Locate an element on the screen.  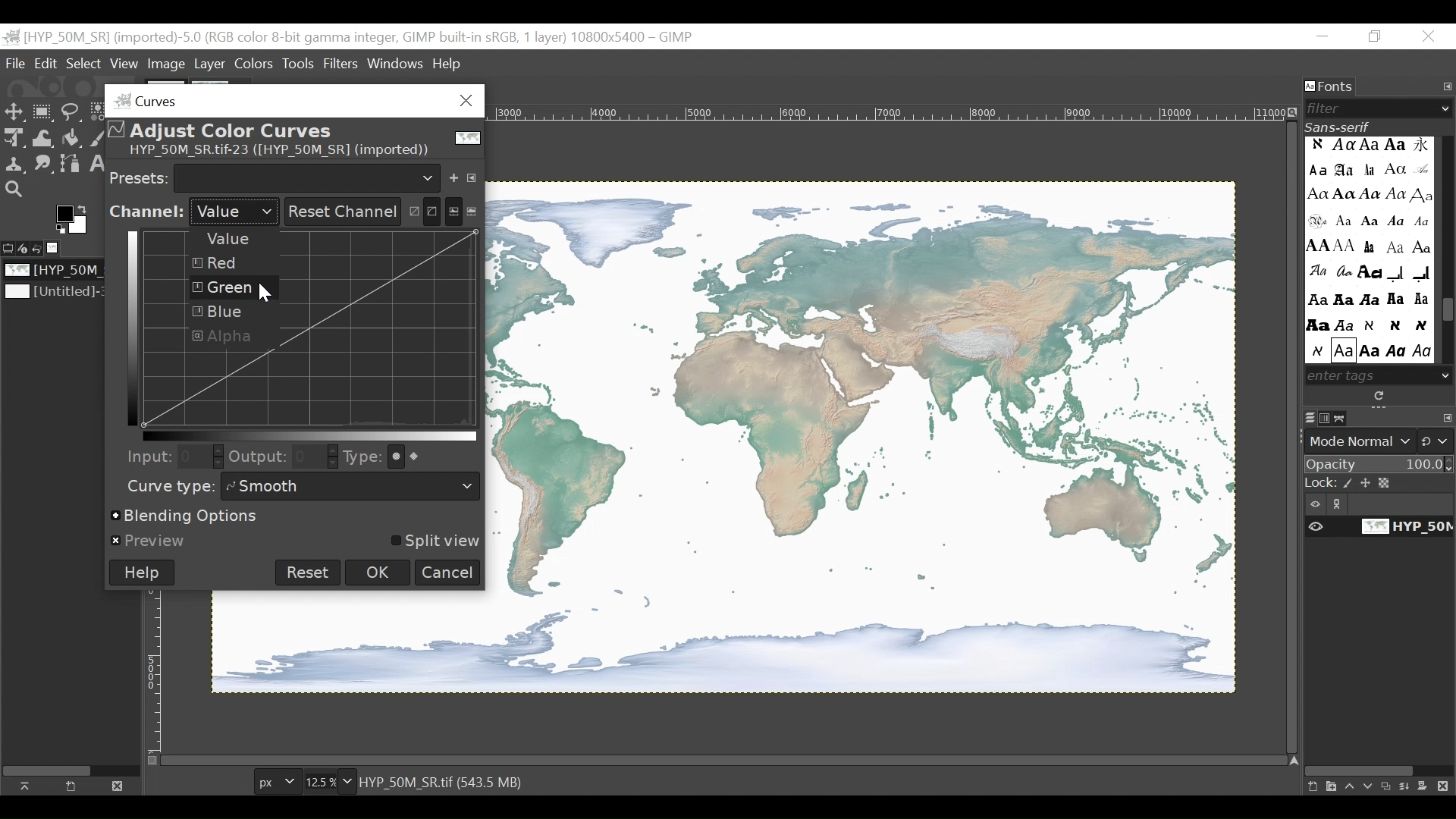
Undo History is located at coordinates (42, 249).